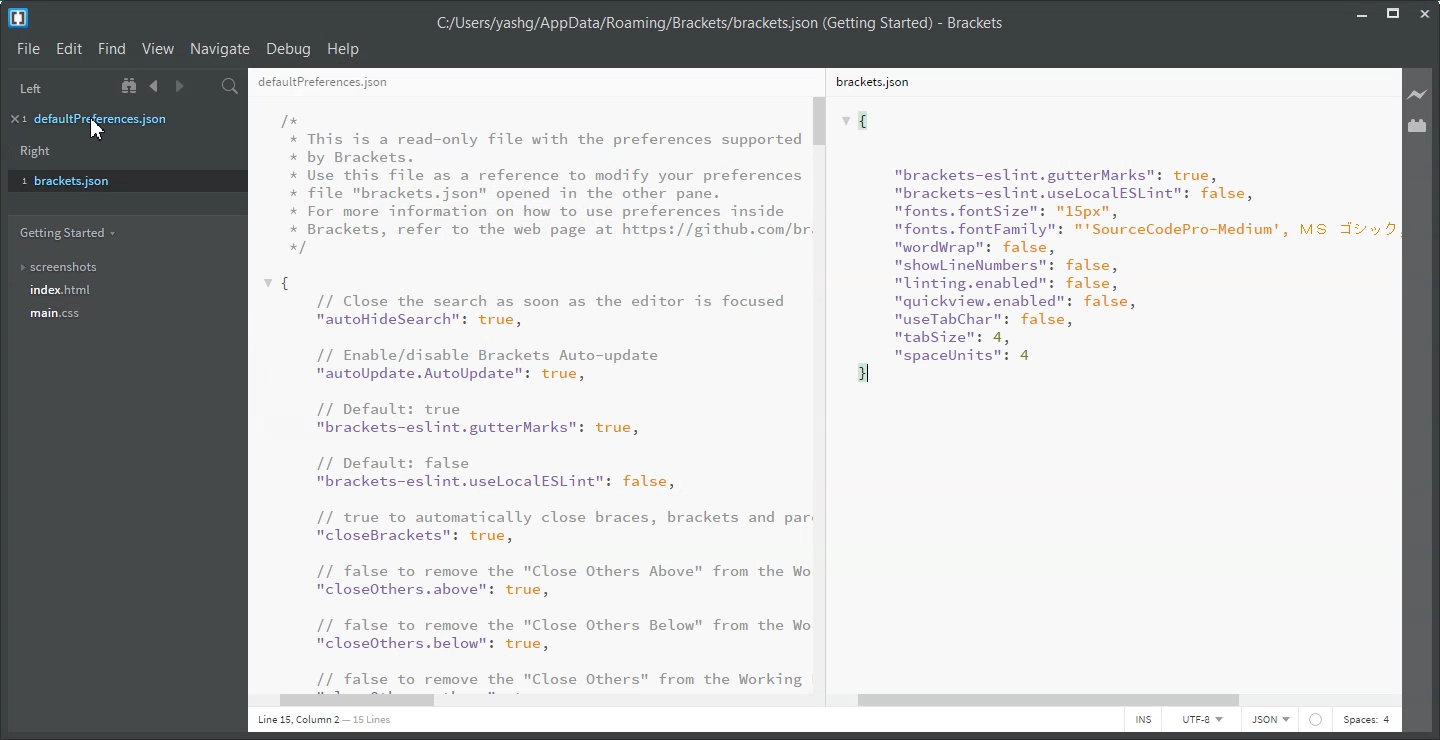 Image resolution: width=1440 pixels, height=740 pixels. Describe the element at coordinates (821, 392) in the screenshot. I see `Vertical Scroll Bar` at that location.